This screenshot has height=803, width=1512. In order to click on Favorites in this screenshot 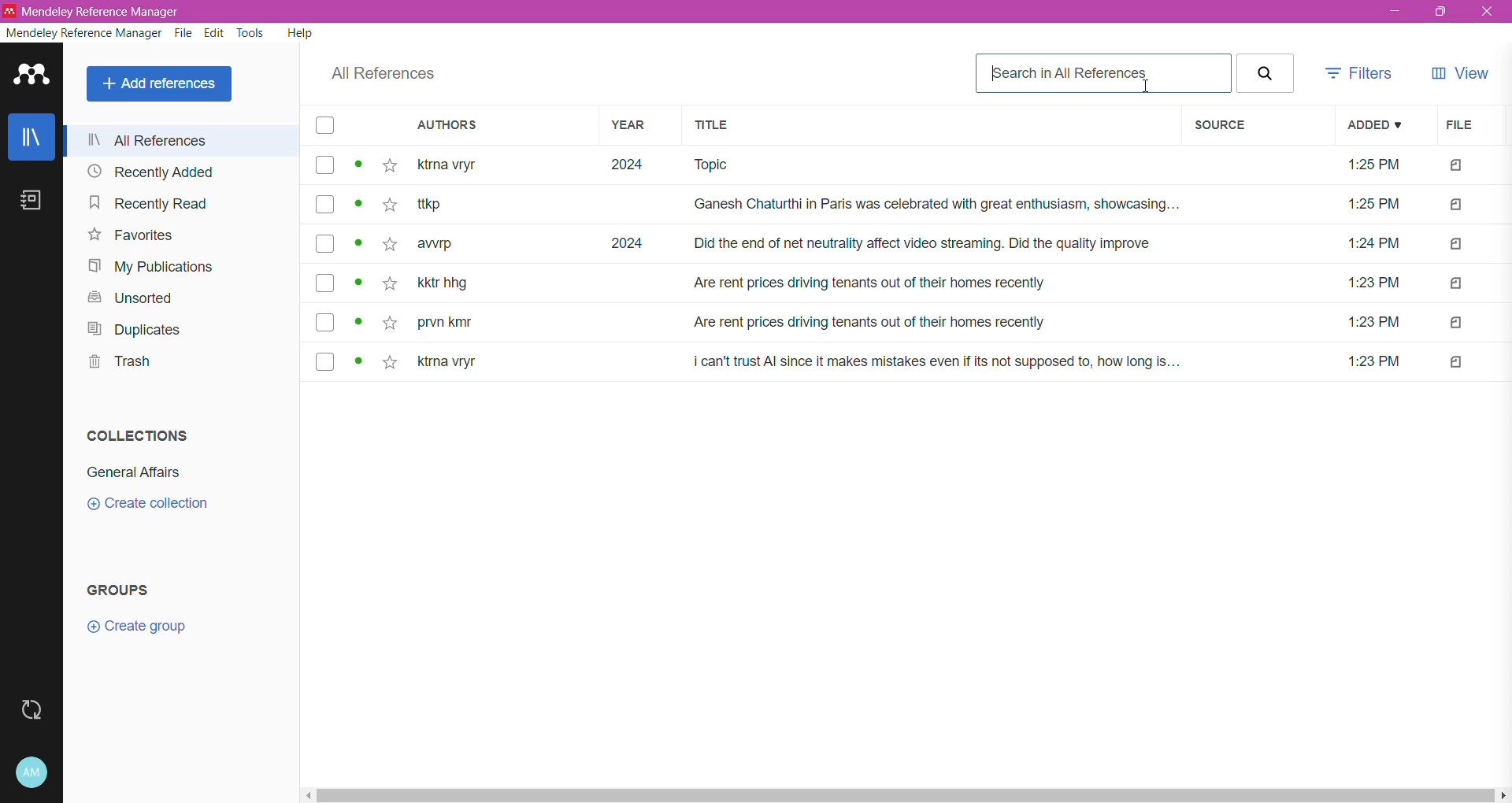, I will do `click(128, 237)`.